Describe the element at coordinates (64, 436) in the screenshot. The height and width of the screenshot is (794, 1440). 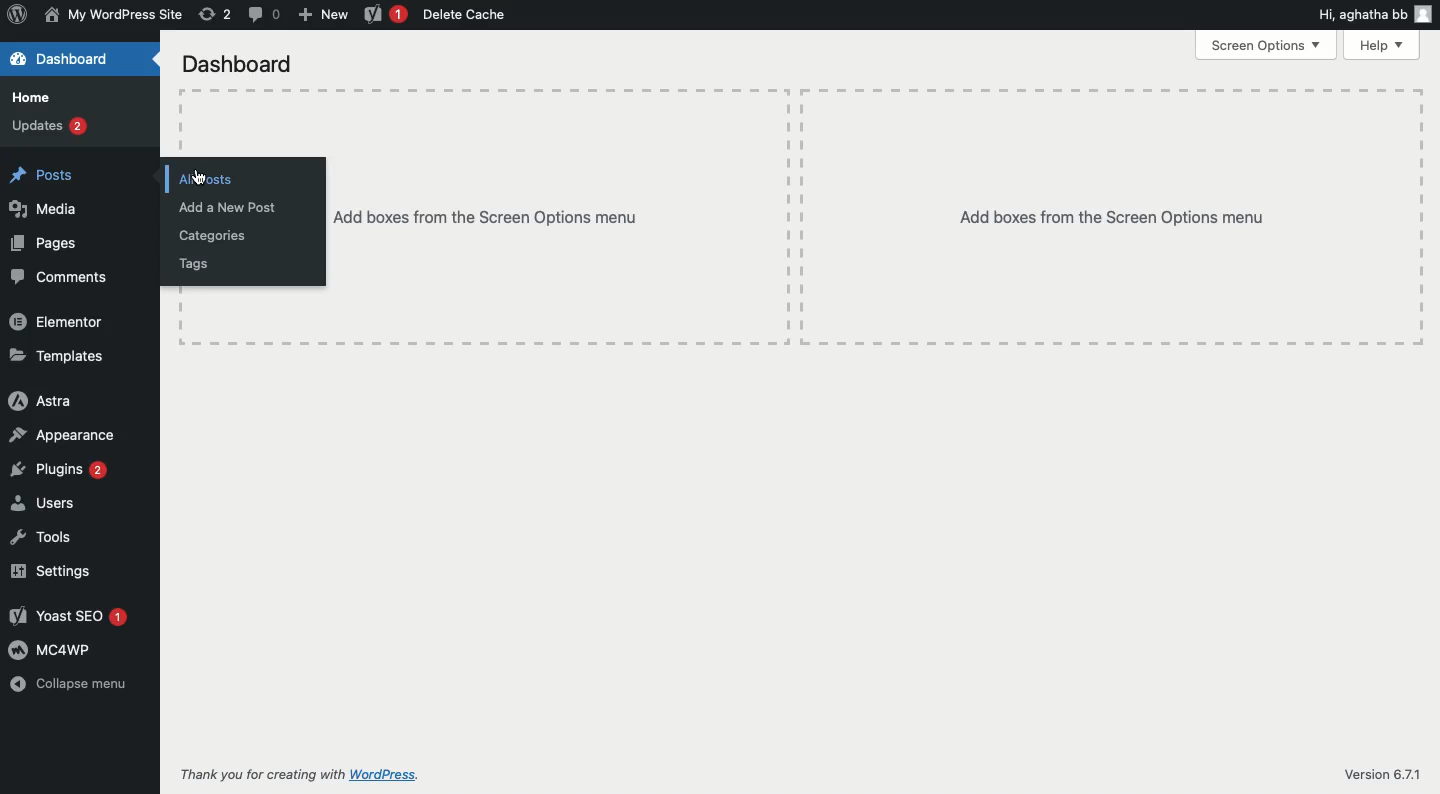
I see `Appearance` at that location.